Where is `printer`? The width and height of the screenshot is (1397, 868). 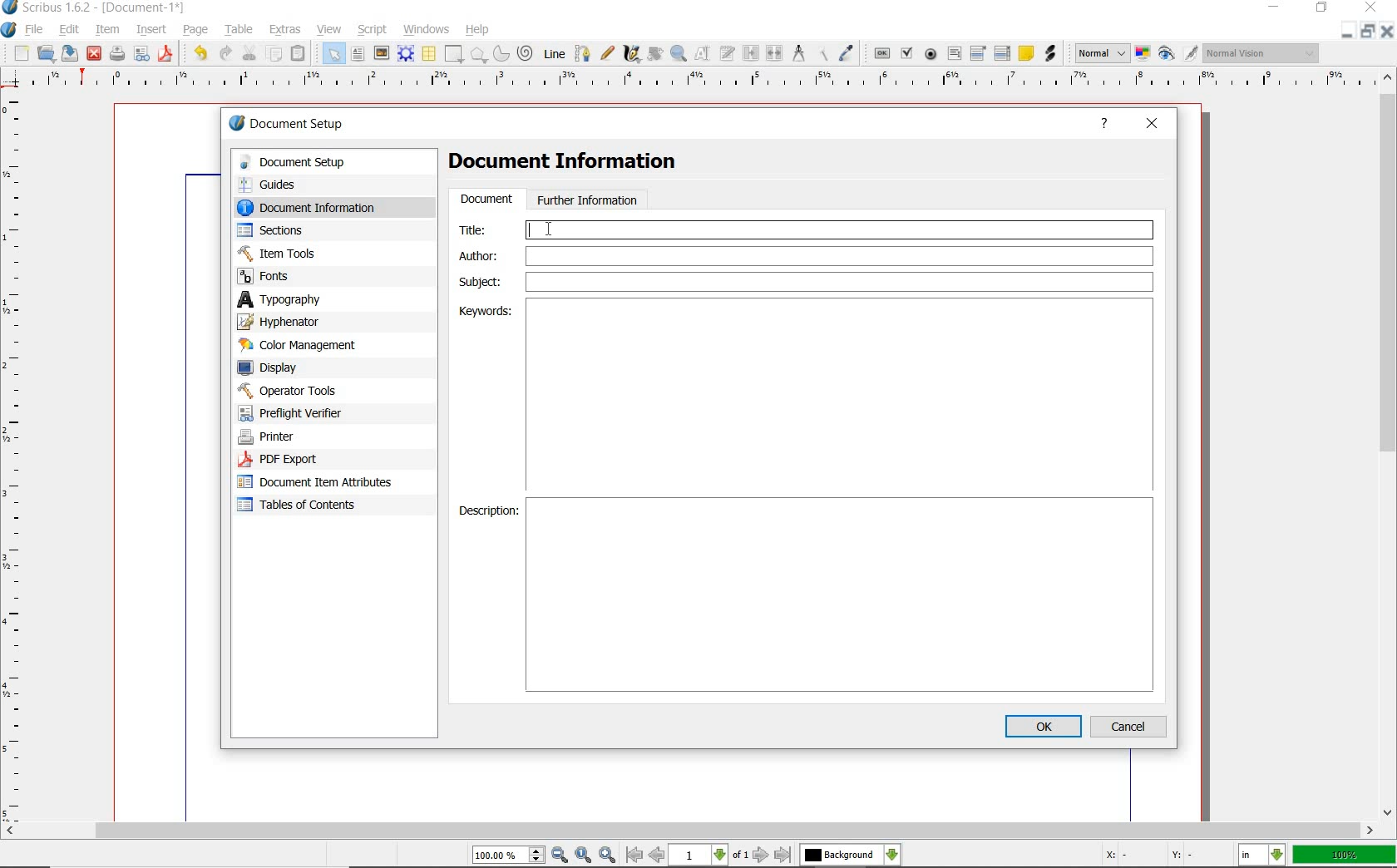 printer is located at coordinates (306, 437).